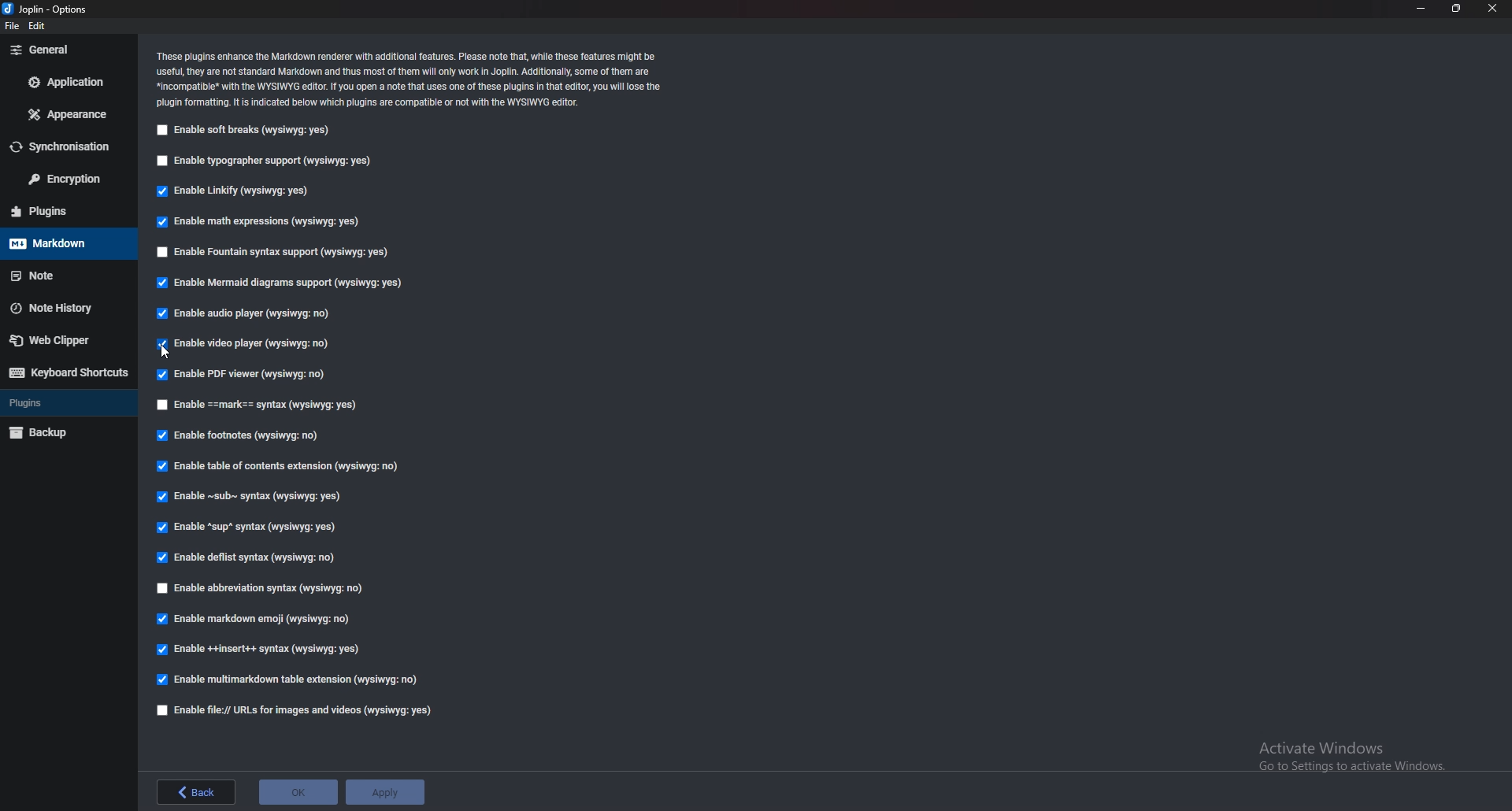 The image size is (1512, 811). What do you see at coordinates (68, 373) in the screenshot?
I see `Keyboard shortcut` at bounding box center [68, 373].